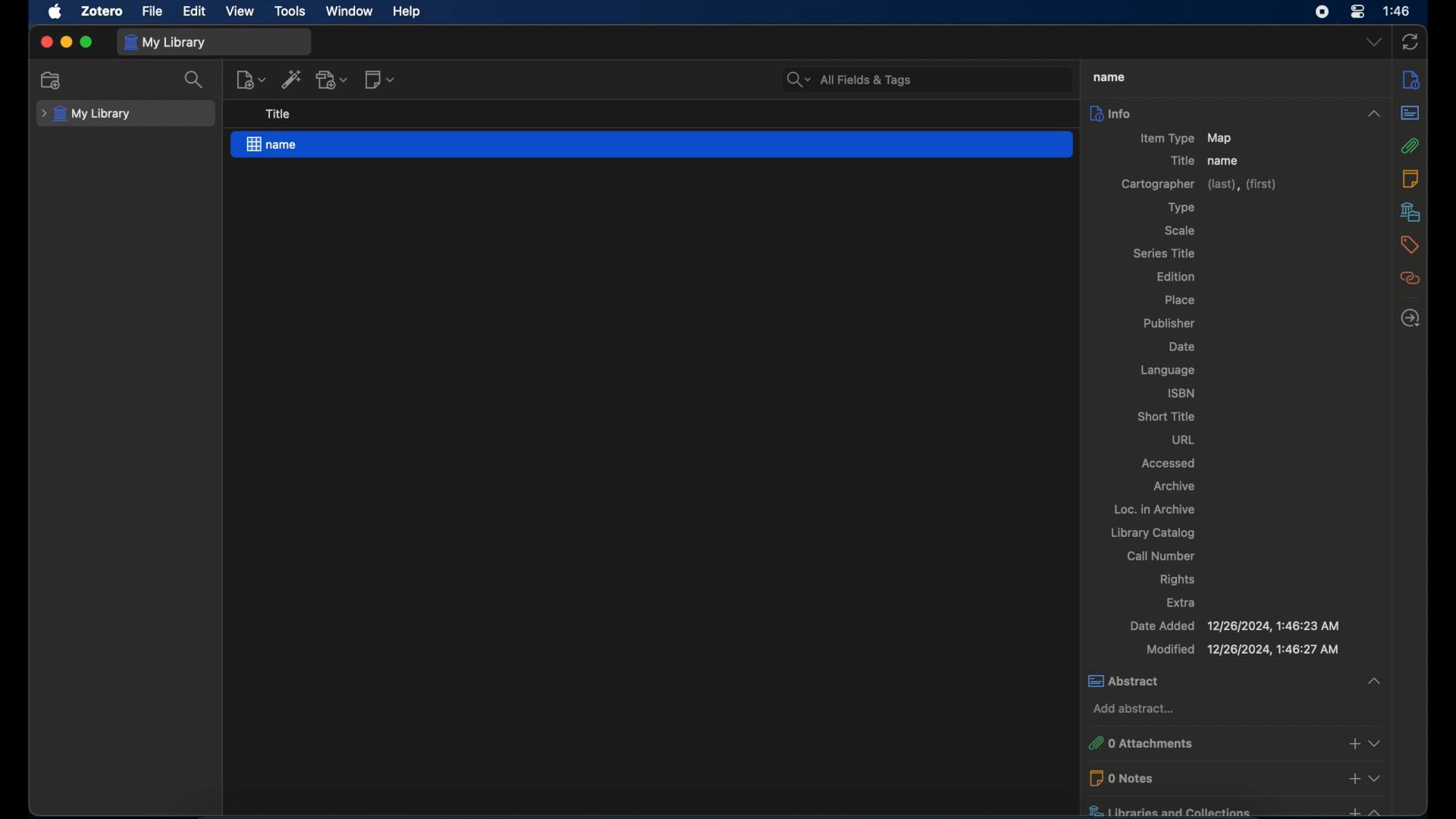  Describe the element at coordinates (1410, 112) in the screenshot. I see `abstract` at that location.